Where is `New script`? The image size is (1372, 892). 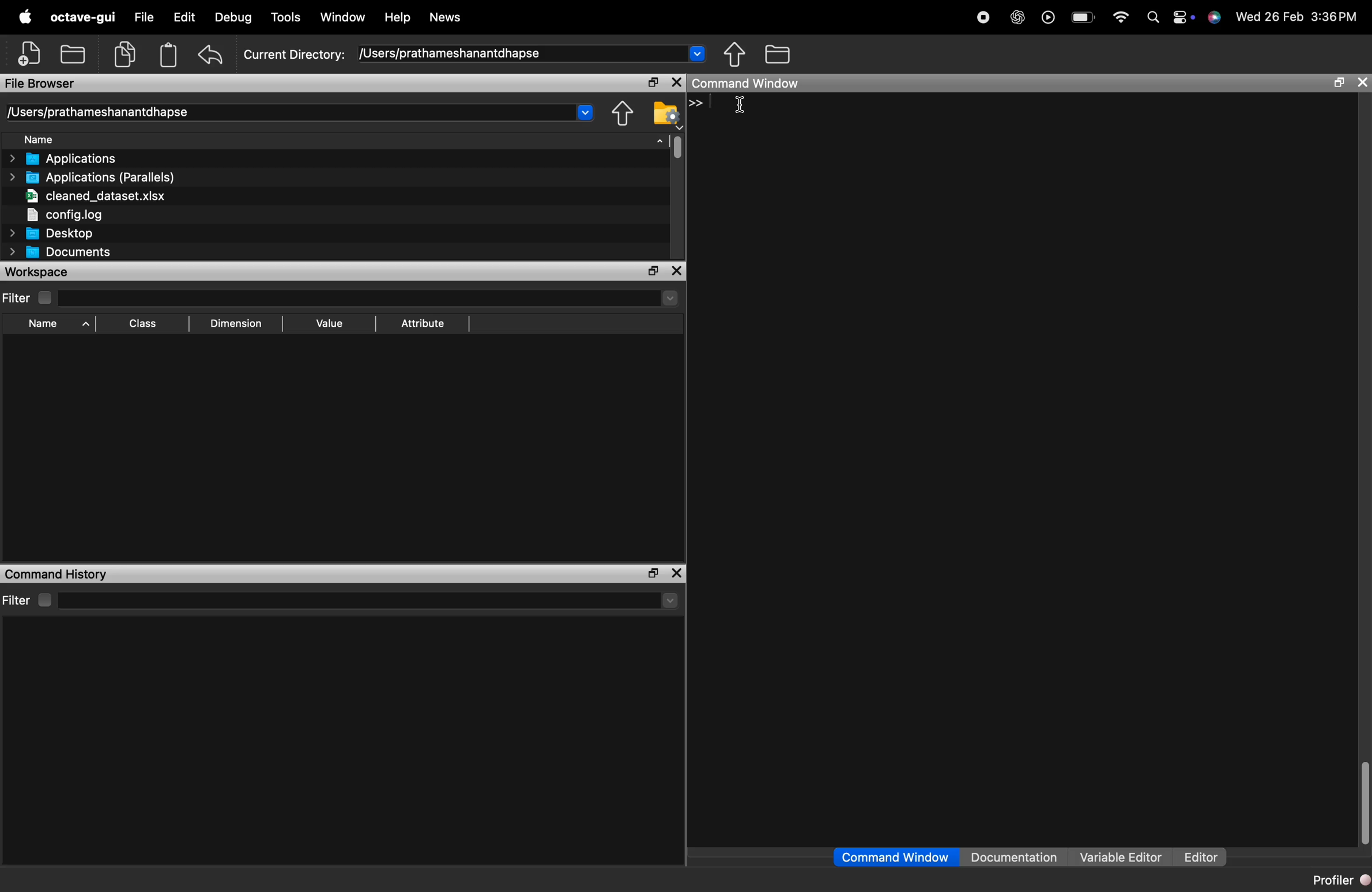
New script is located at coordinates (28, 52).